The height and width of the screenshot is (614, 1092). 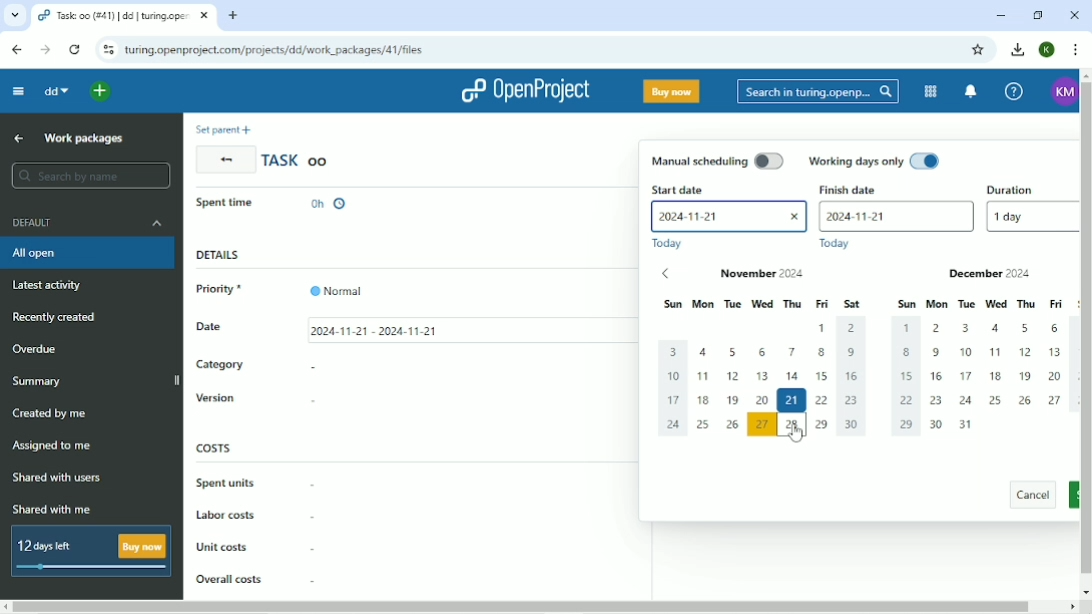 What do you see at coordinates (235, 207) in the screenshot?
I see `In progress` at bounding box center [235, 207].